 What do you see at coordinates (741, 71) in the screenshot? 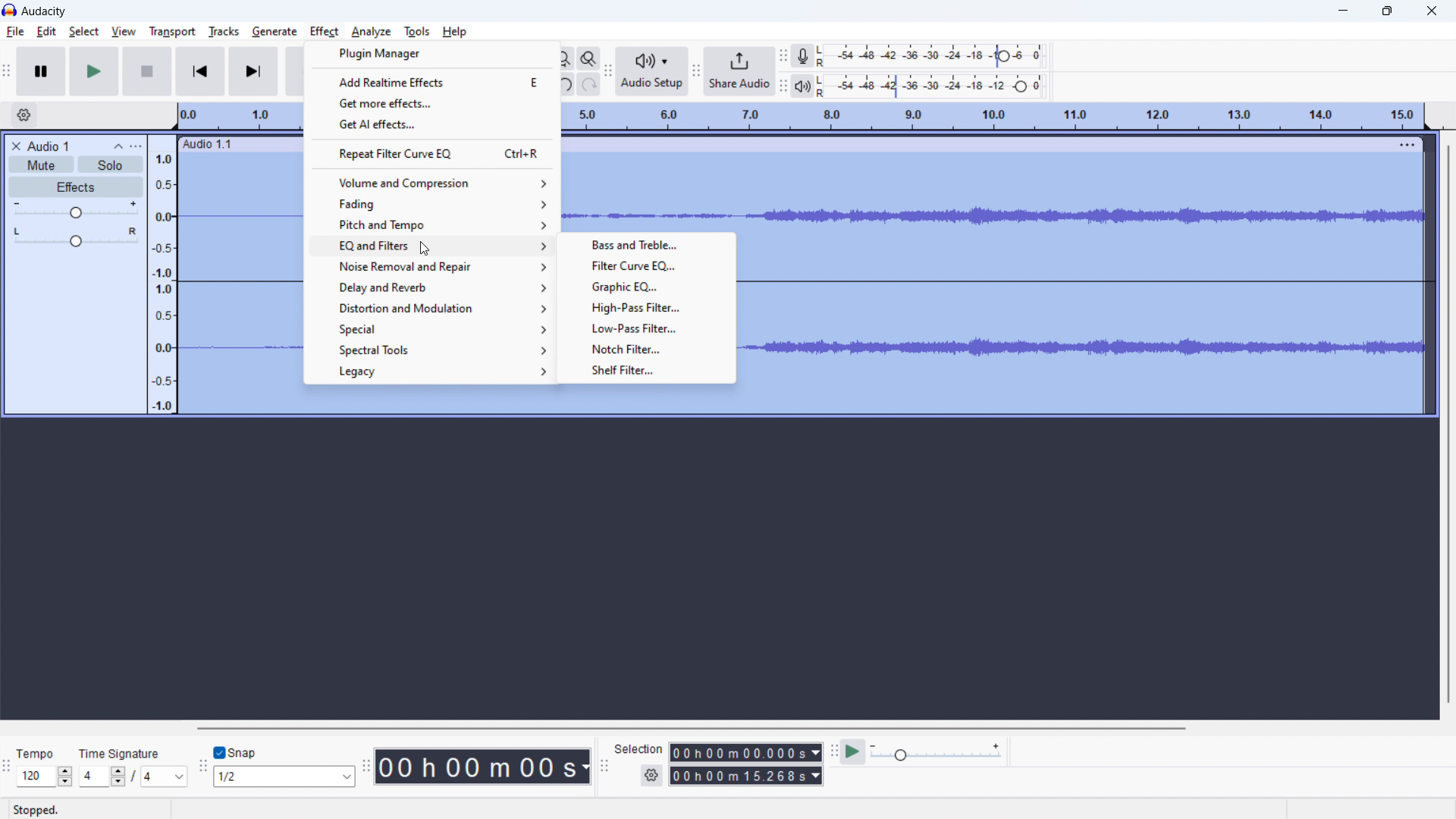
I see `share audio` at bounding box center [741, 71].